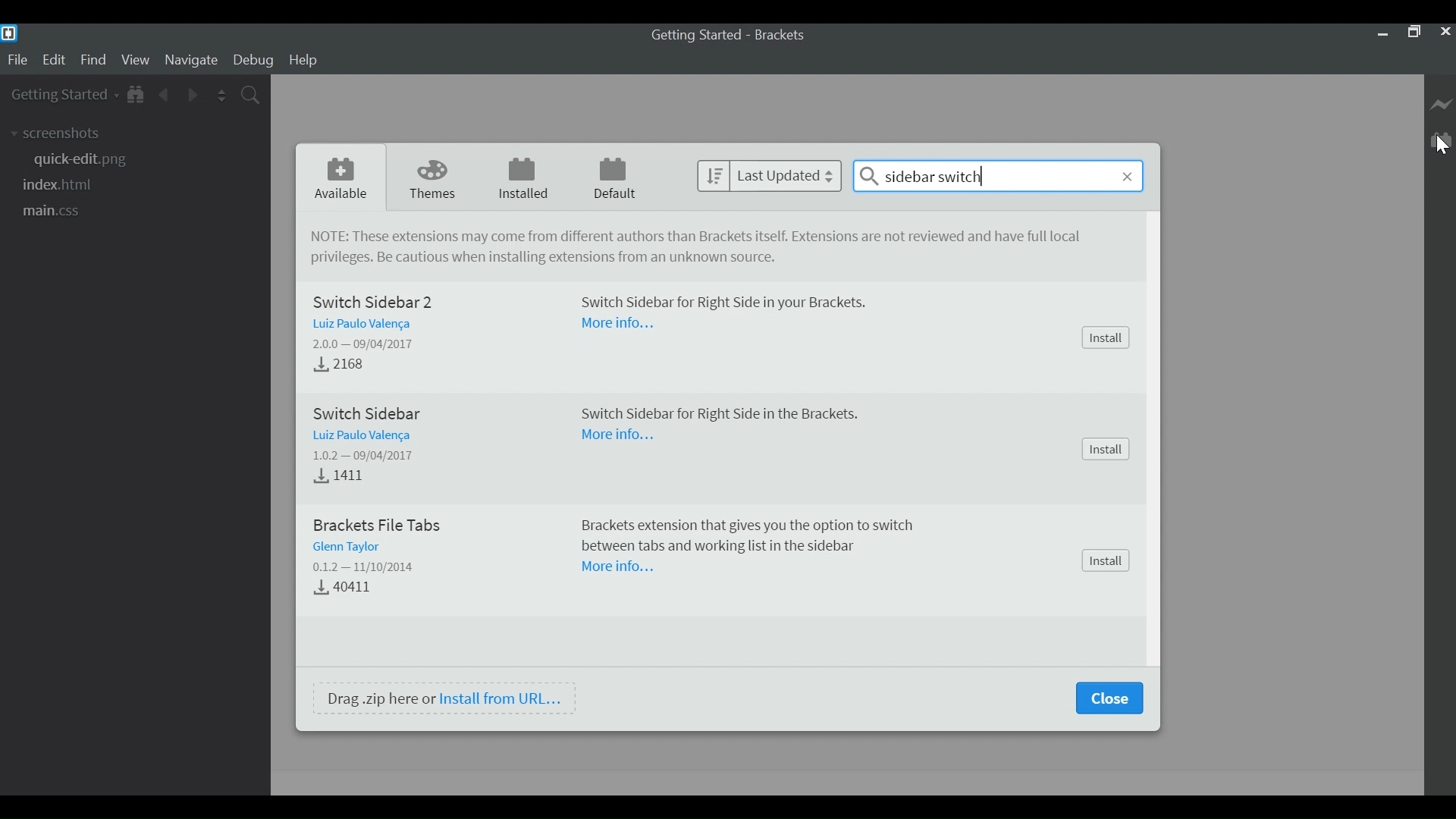 Image resolution: width=1456 pixels, height=819 pixels. I want to click on Install, so click(1106, 562).